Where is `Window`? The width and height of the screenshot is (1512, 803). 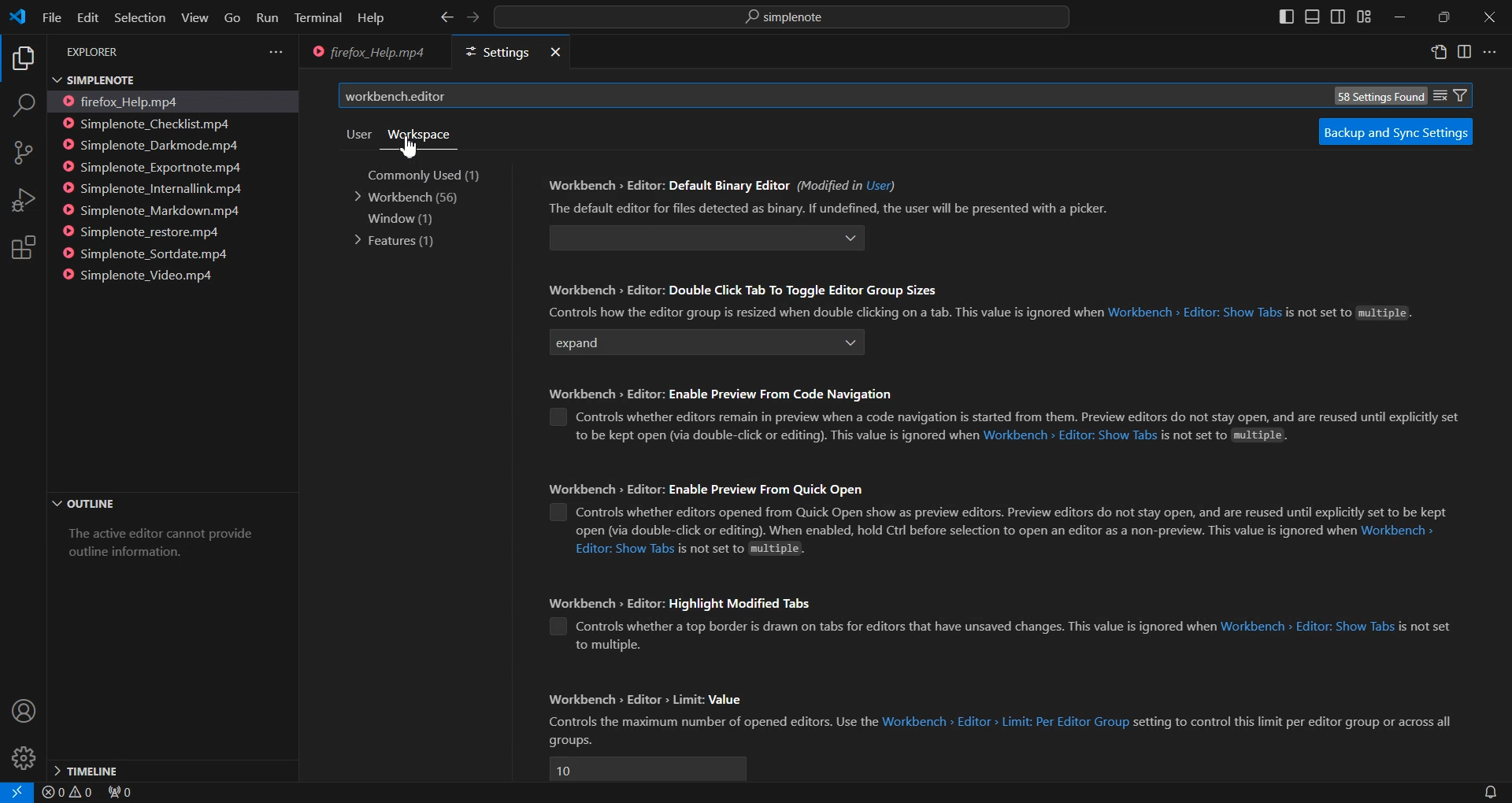
Window is located at coordinates (399, 218).